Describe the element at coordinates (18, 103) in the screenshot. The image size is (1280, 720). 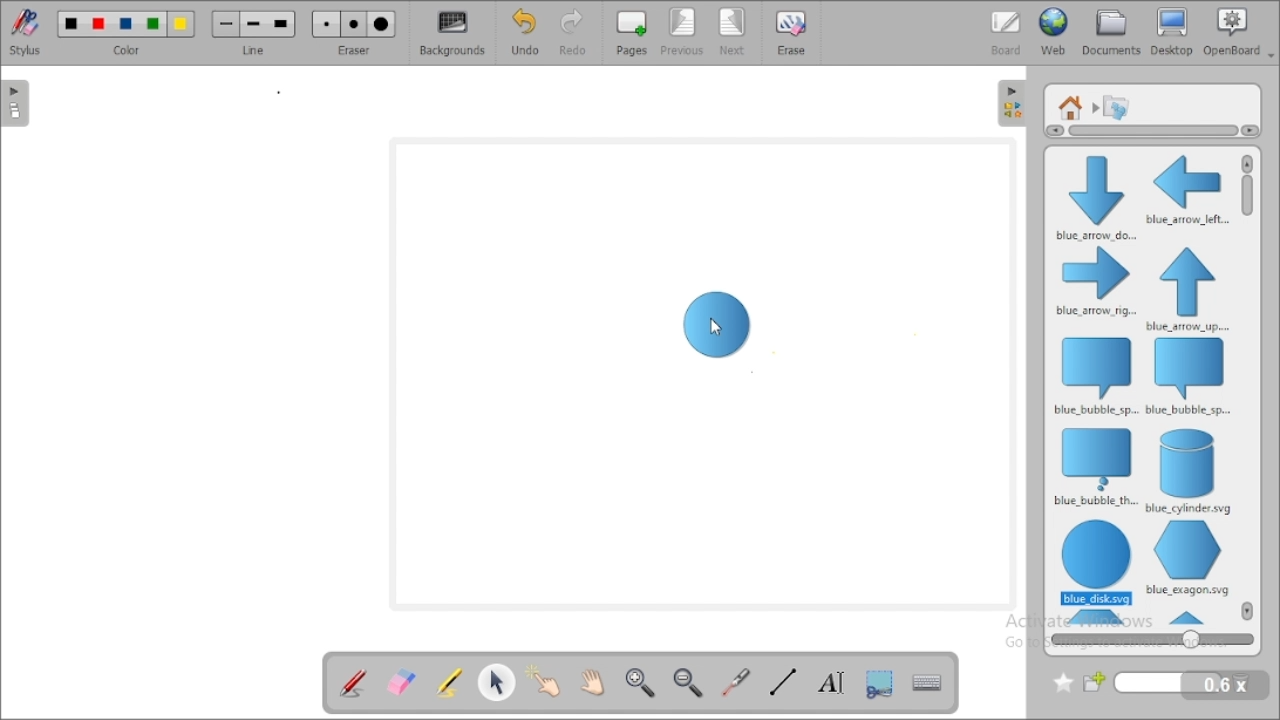
I see `pages pane` at that location.